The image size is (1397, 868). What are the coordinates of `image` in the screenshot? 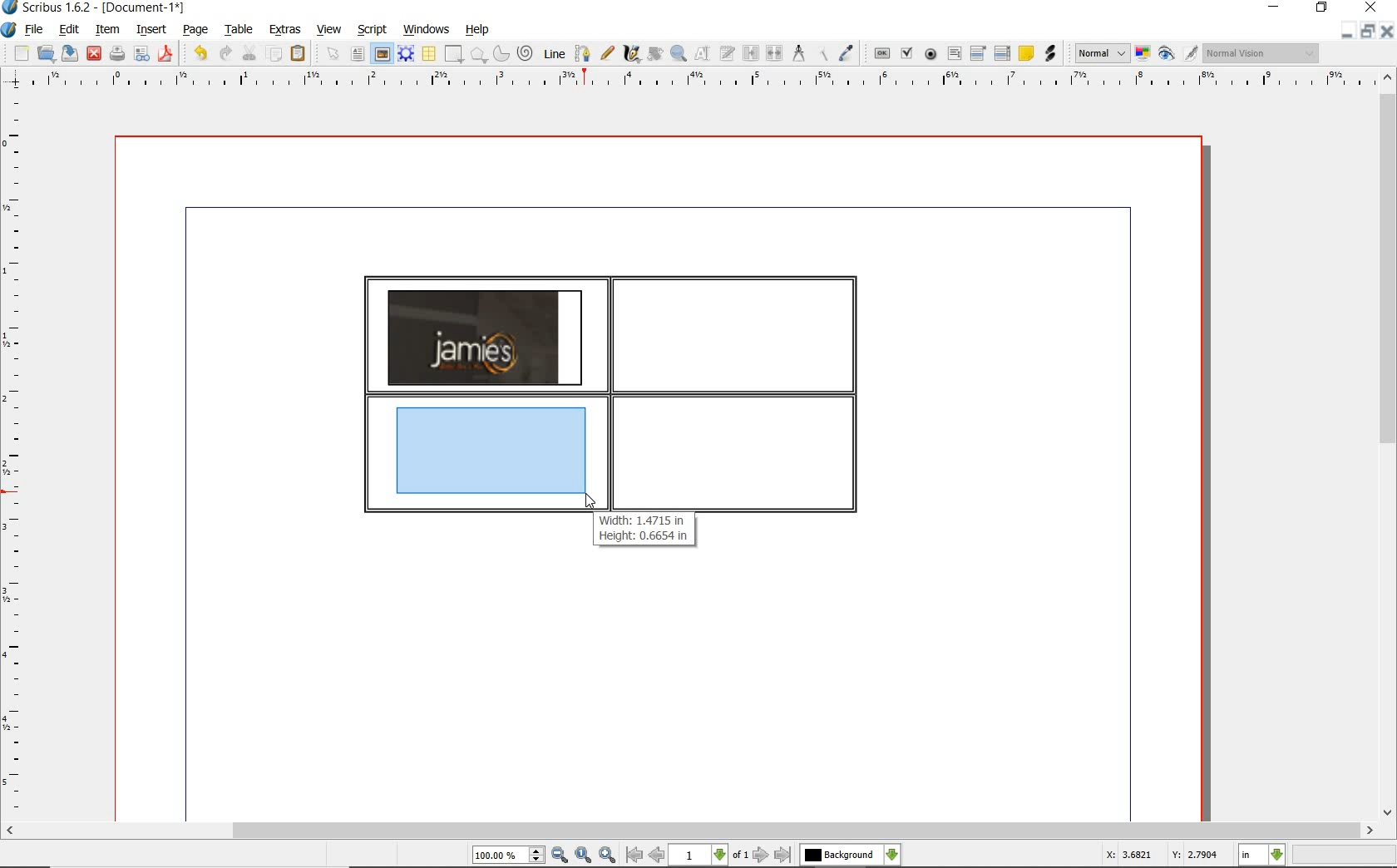 It's located at (382, 54).